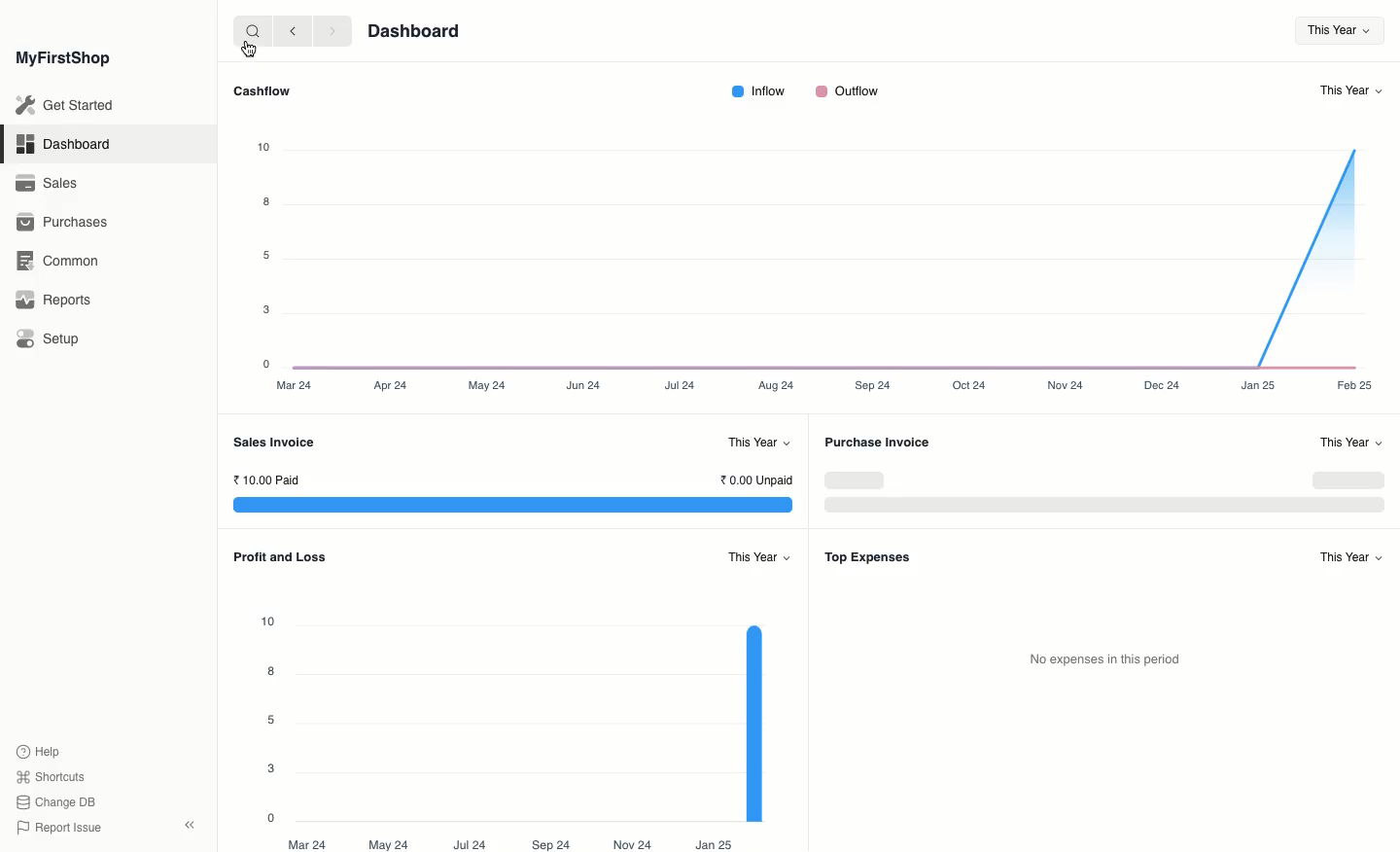 Image resolution: width=1400 pixels, height=852 pixels. I want to click on Setup, so click(48, 339).